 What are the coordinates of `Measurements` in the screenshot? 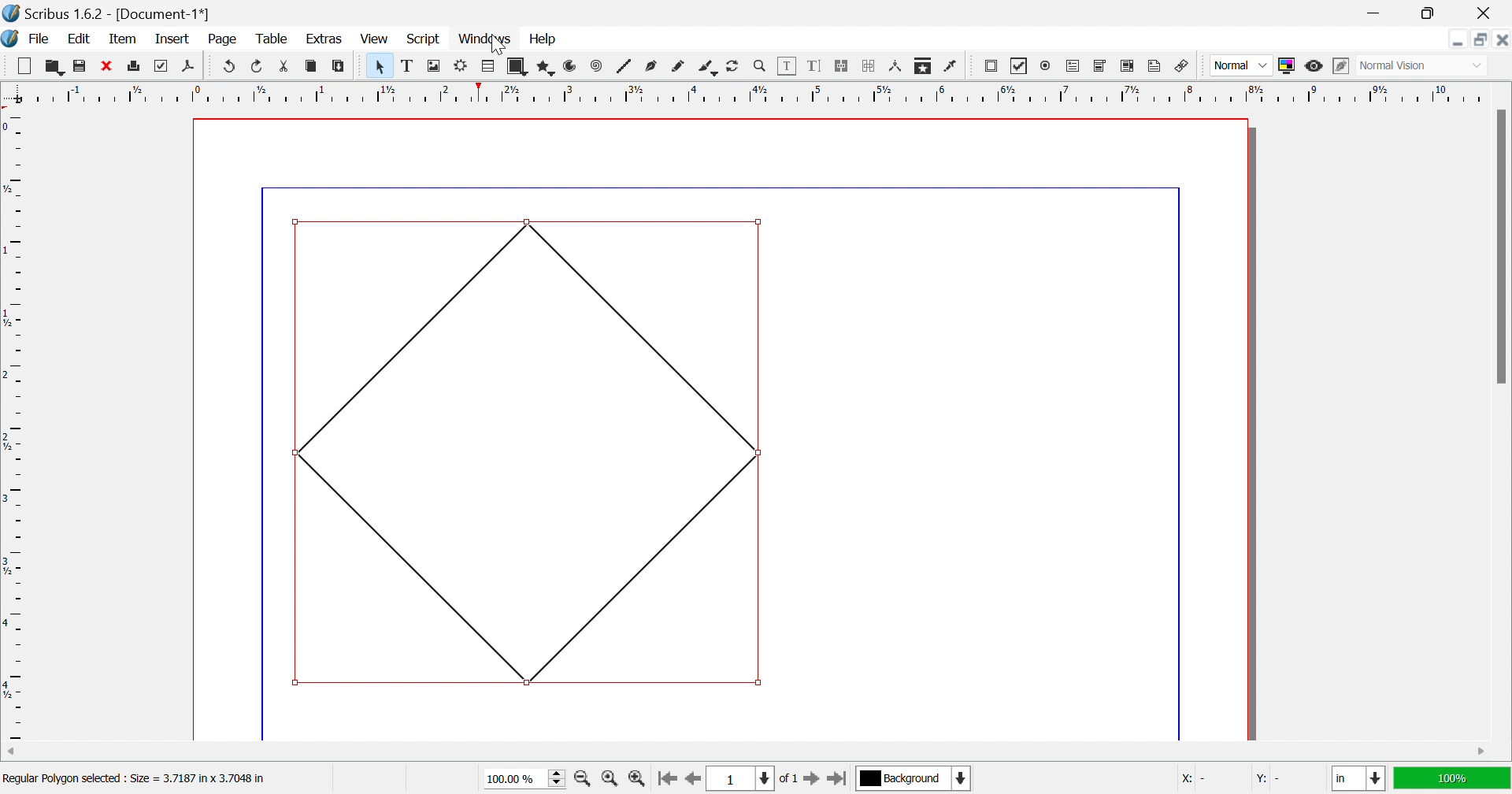 It's located at (897, 67).